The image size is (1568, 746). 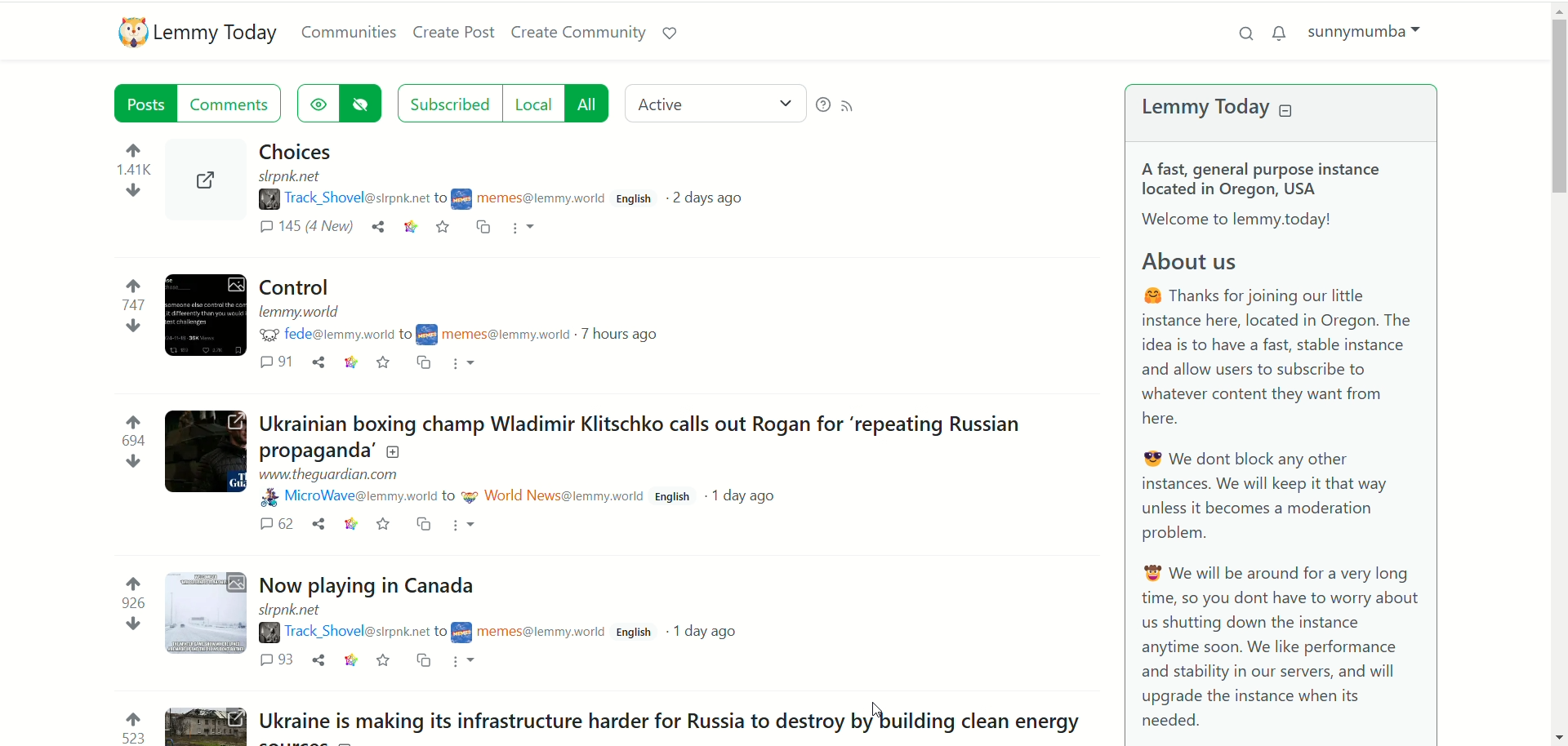 I want to click on 7 hours ago, so click(x=620, y=332).